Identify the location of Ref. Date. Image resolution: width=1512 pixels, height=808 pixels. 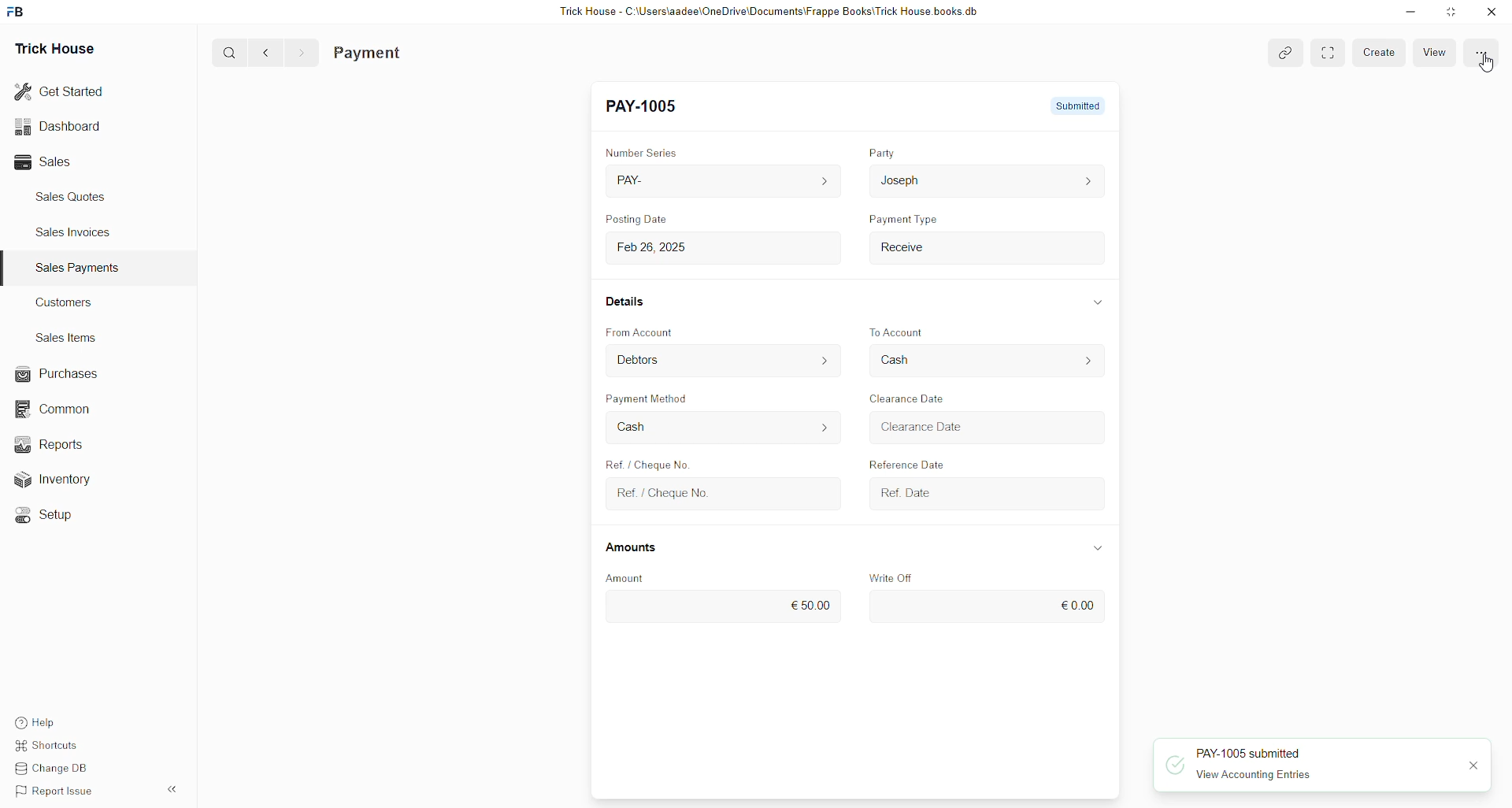
(983, 494).